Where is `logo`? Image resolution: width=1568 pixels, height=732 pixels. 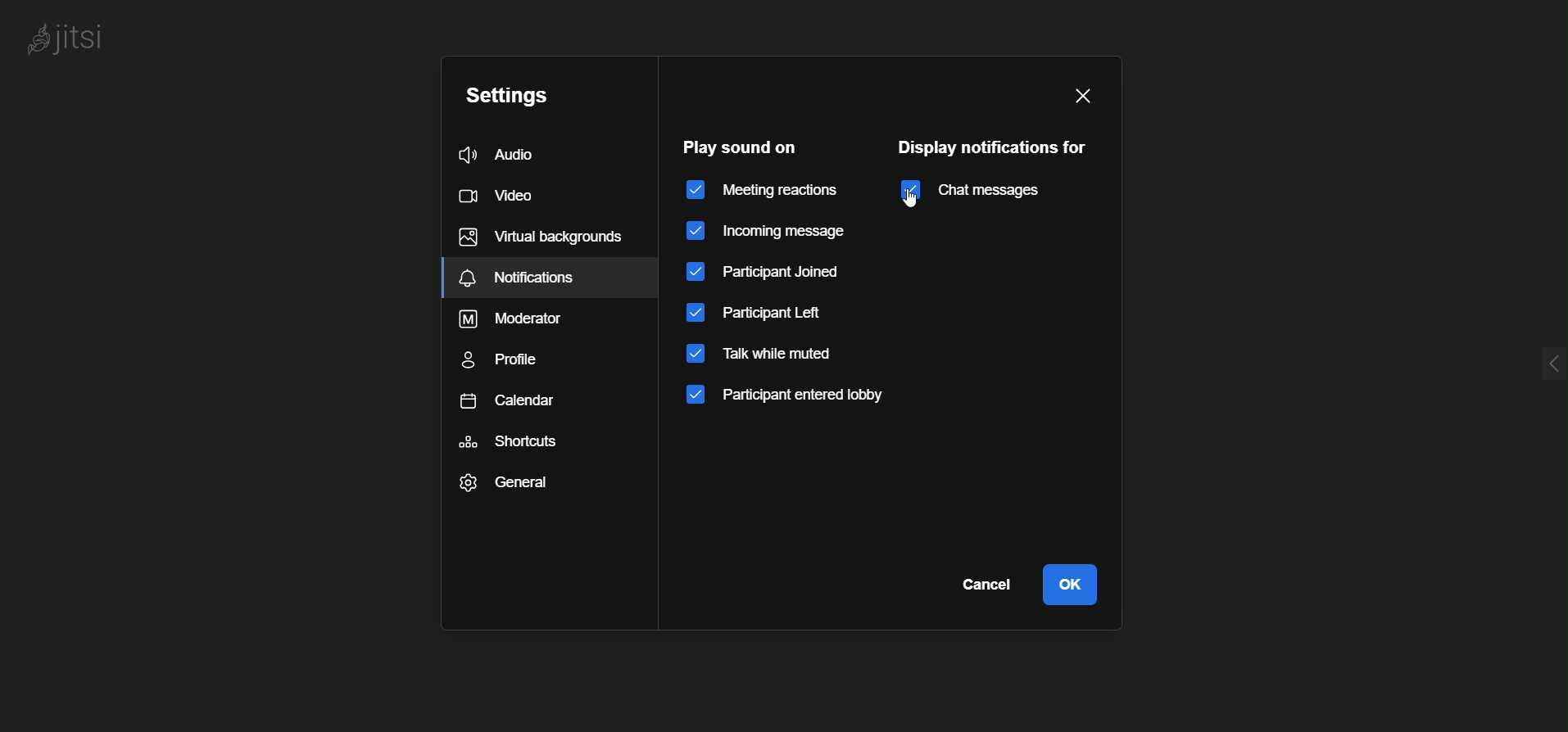
logo is located at coordinates (89, 34).